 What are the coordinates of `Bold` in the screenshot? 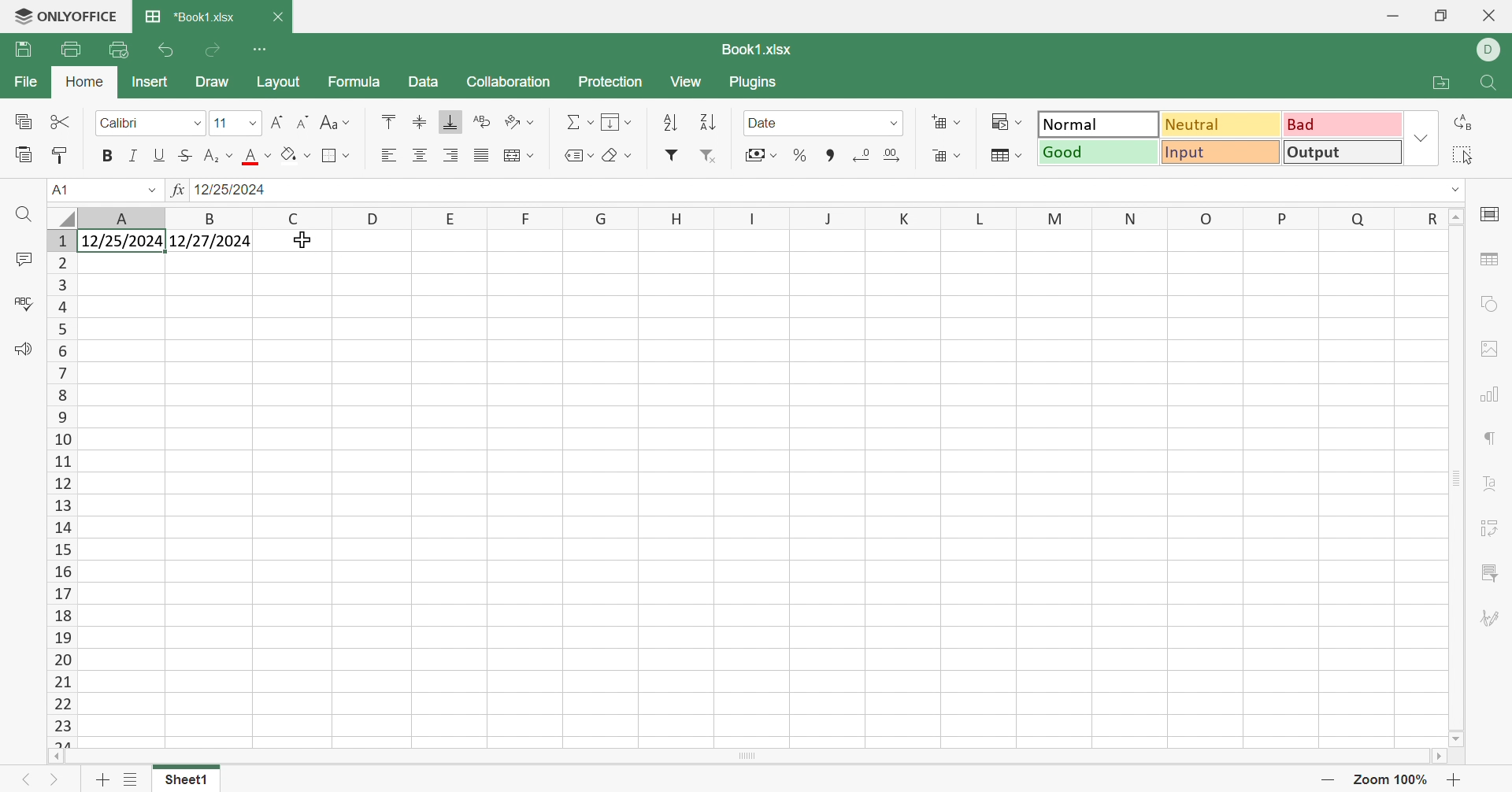 It's located at (109, 157).